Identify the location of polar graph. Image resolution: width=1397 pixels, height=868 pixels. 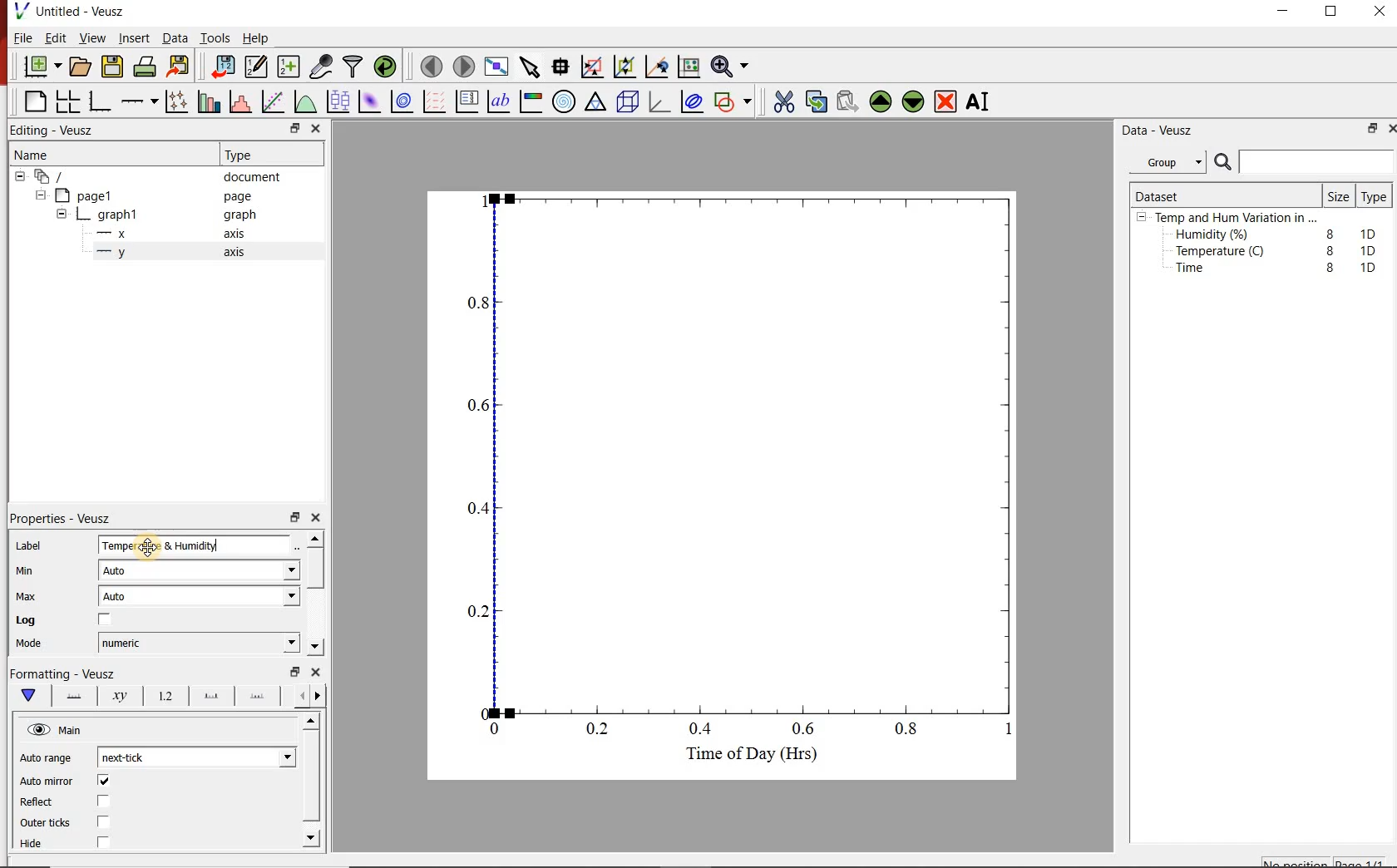
(565, 103).